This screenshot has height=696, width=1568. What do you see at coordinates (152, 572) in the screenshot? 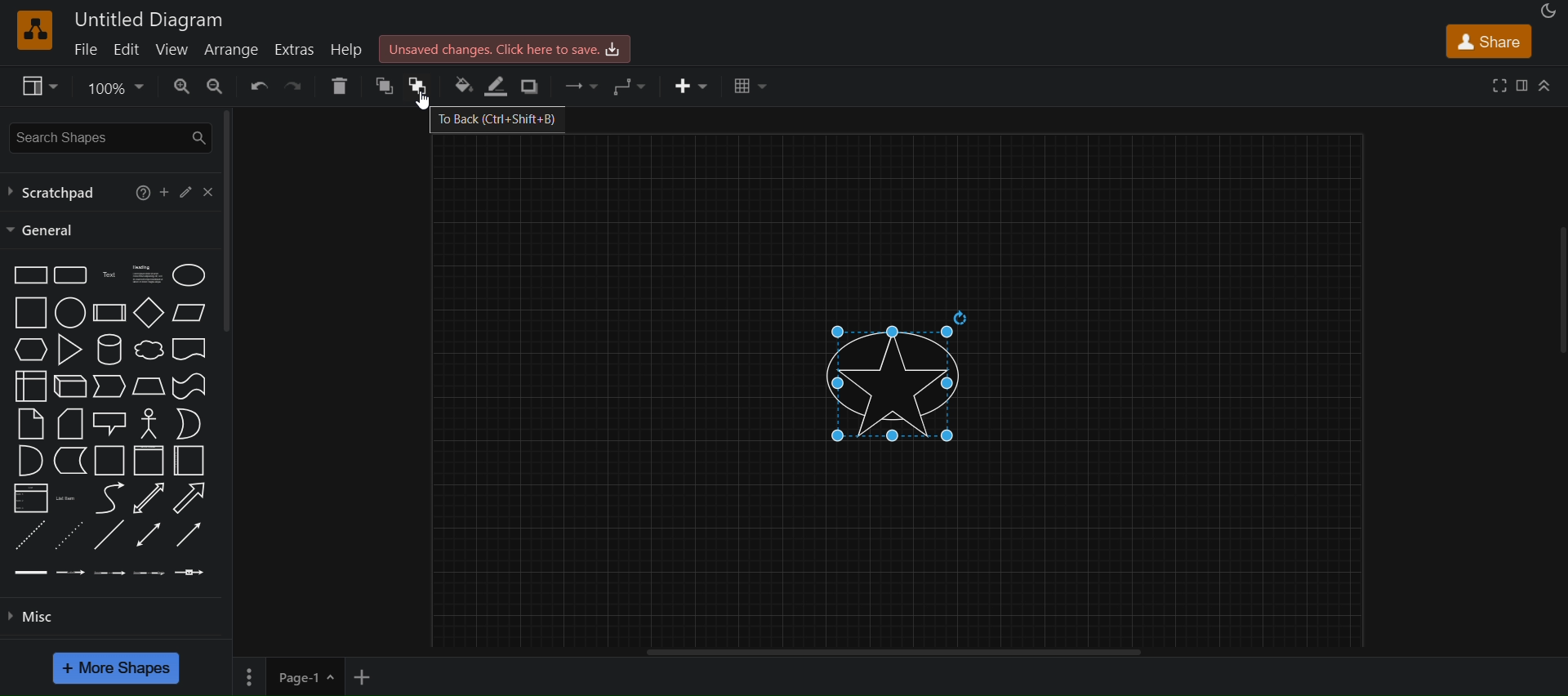
I see `connetor with 3 lable` at bounding box center [152, 572].